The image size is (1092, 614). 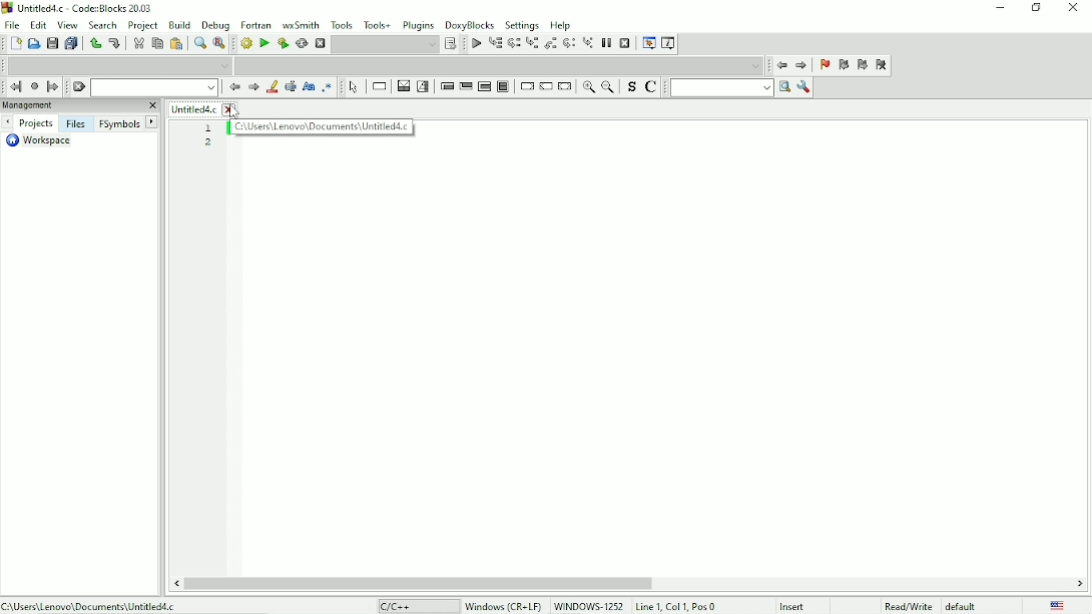 What do you see at coordinates (731, 87) in the screenshot?
I see `Run search` at bounding box center [731, 87].